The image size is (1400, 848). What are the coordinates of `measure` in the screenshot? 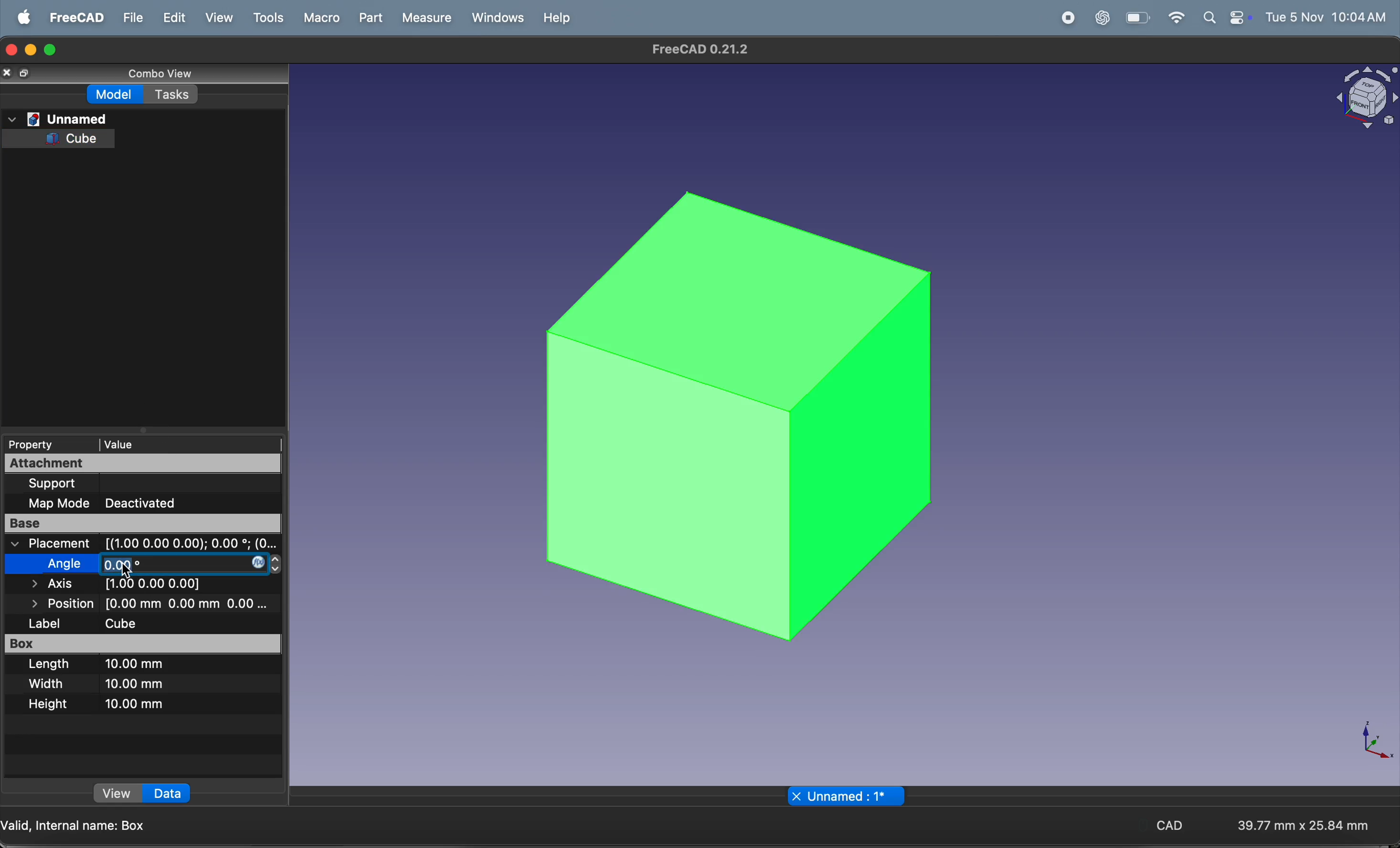 It's located at (429, 18).